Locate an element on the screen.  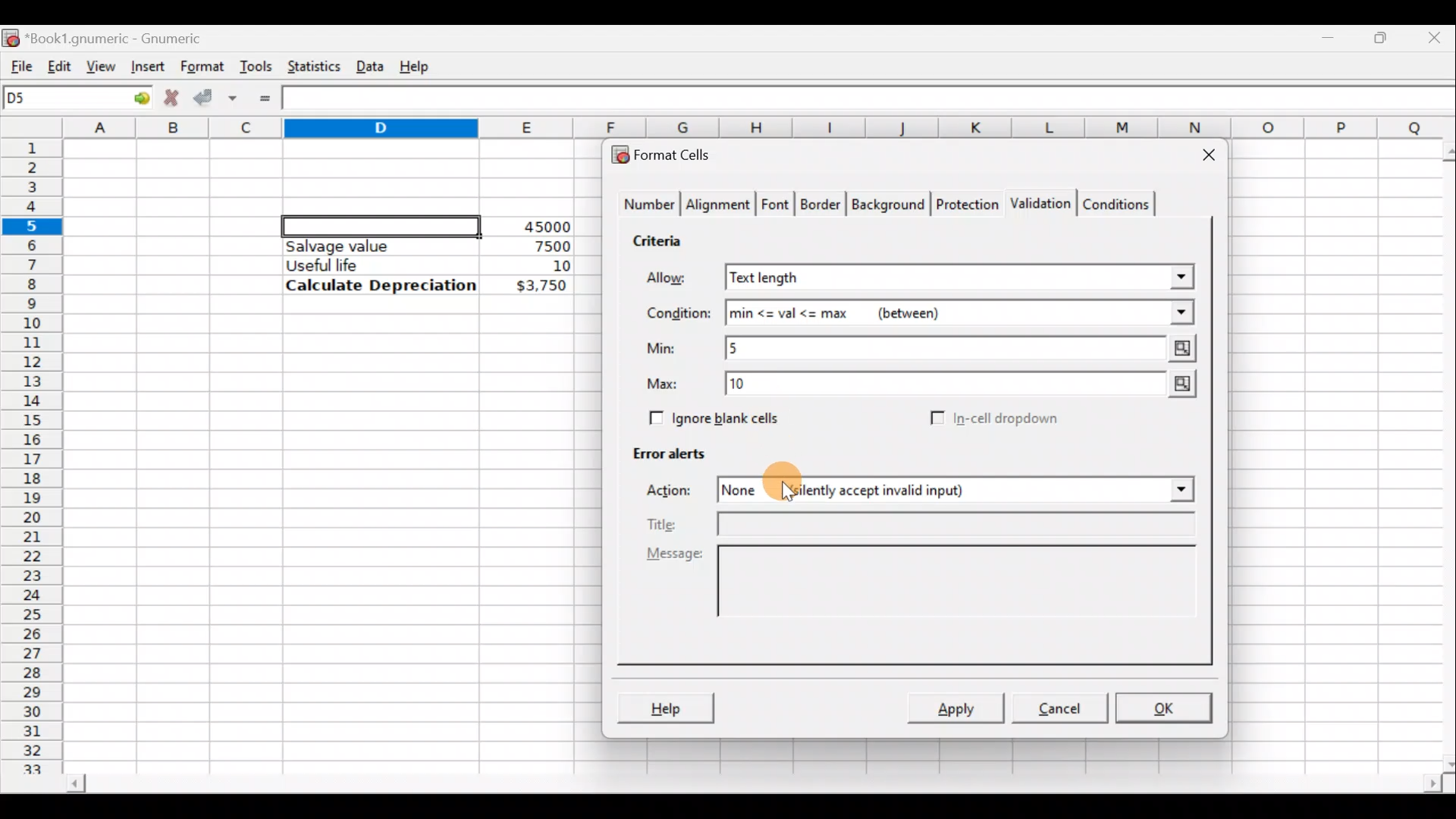
In-cell dropdown is located at coordinates (1009, 419).